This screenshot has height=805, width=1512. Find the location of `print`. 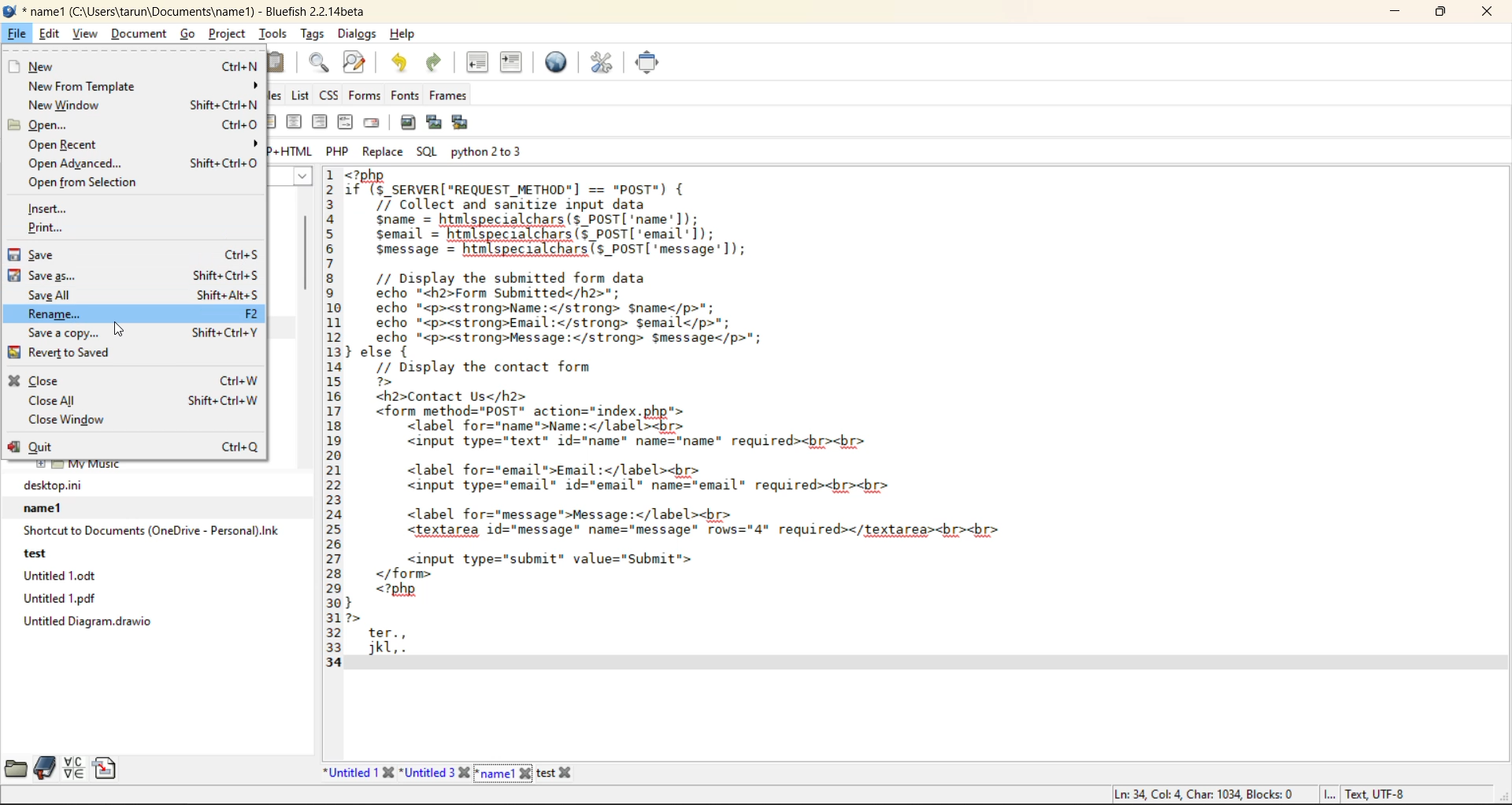

print is located at coordinates (50, 230).